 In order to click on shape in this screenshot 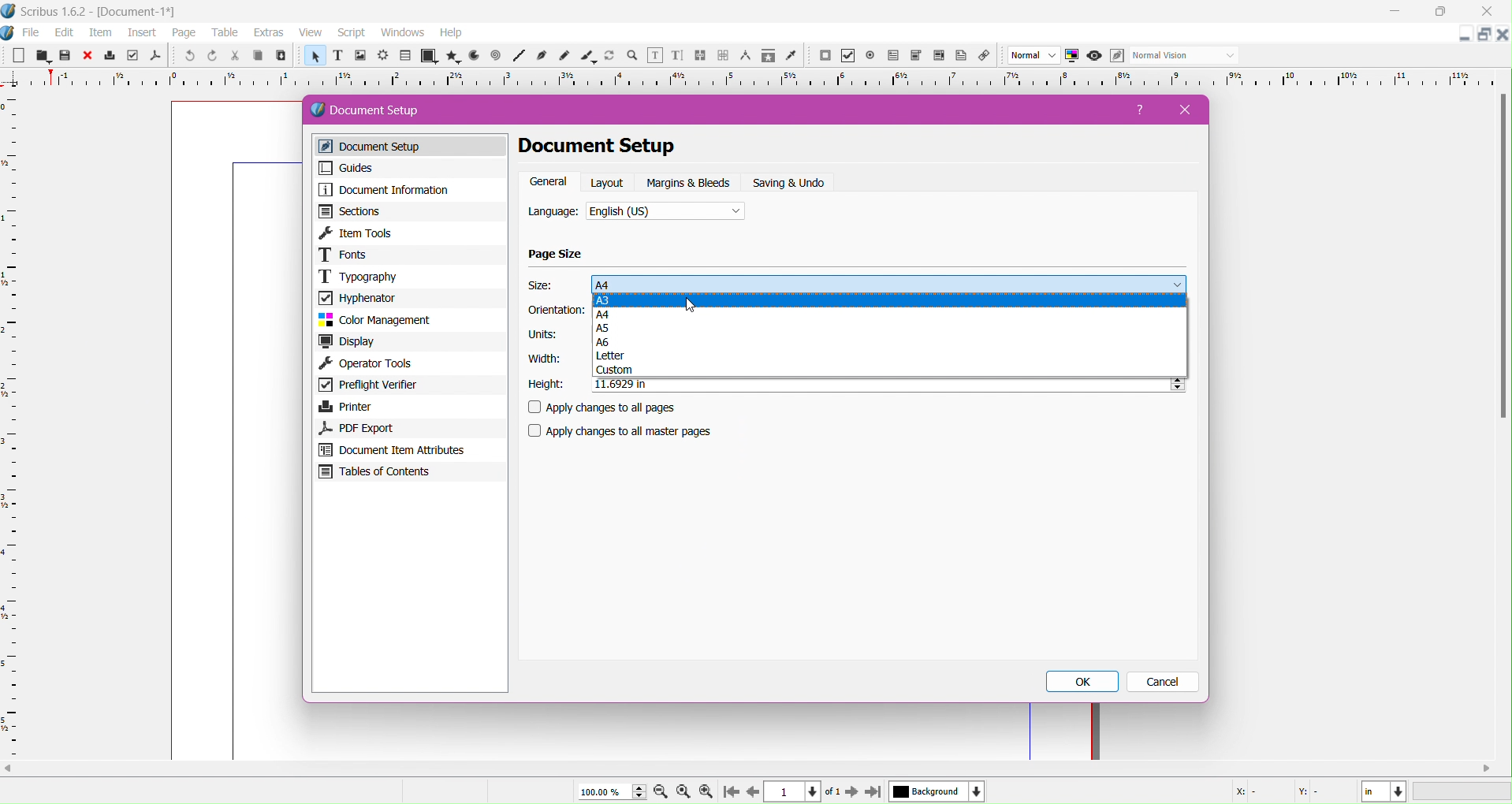, I will do `click(427, 57)`.